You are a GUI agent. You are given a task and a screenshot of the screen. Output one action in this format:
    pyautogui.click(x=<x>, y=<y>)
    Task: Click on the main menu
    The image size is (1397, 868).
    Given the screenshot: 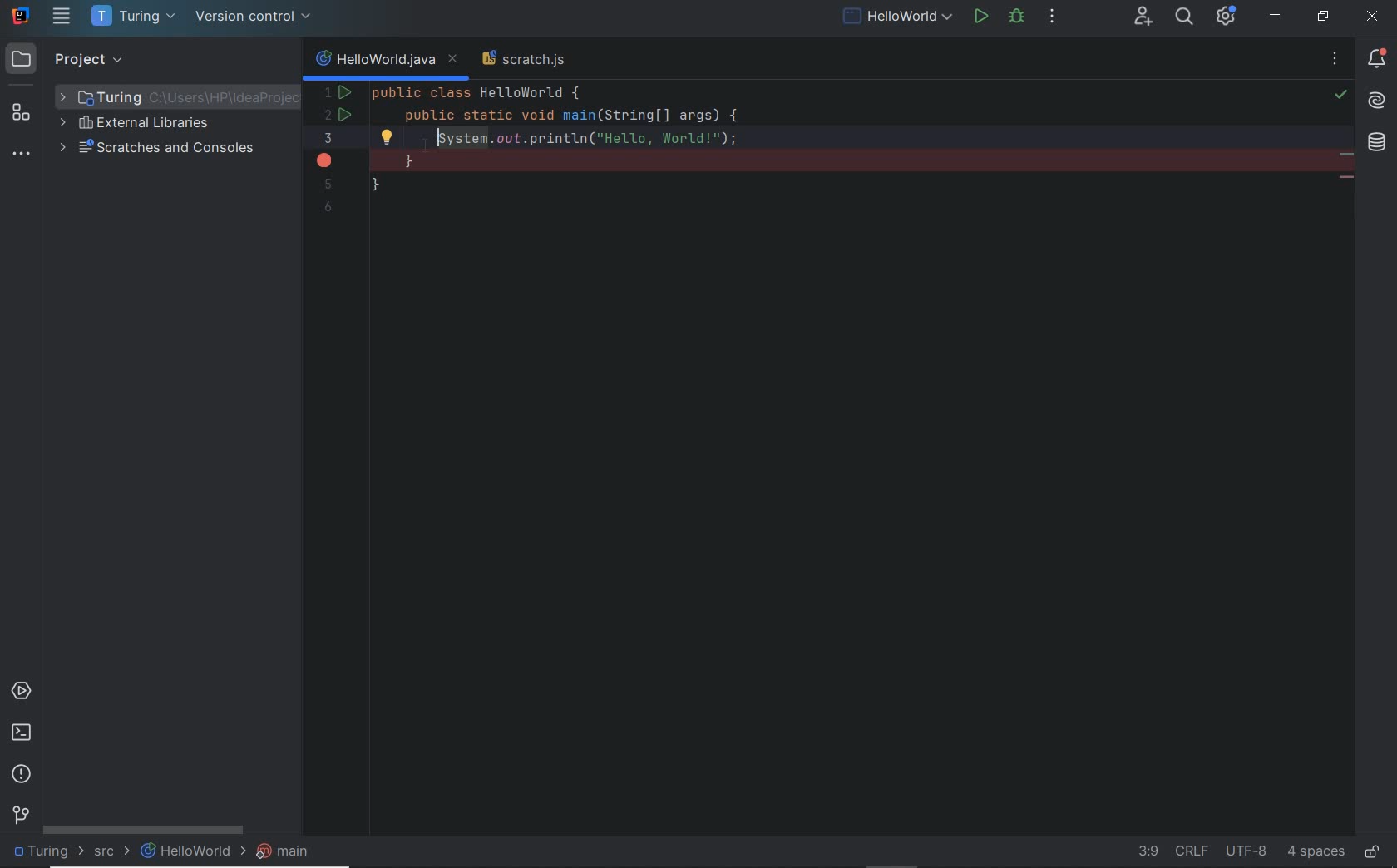 What is the action you would take?
    pyautogui.click(x=62, y=18)
    